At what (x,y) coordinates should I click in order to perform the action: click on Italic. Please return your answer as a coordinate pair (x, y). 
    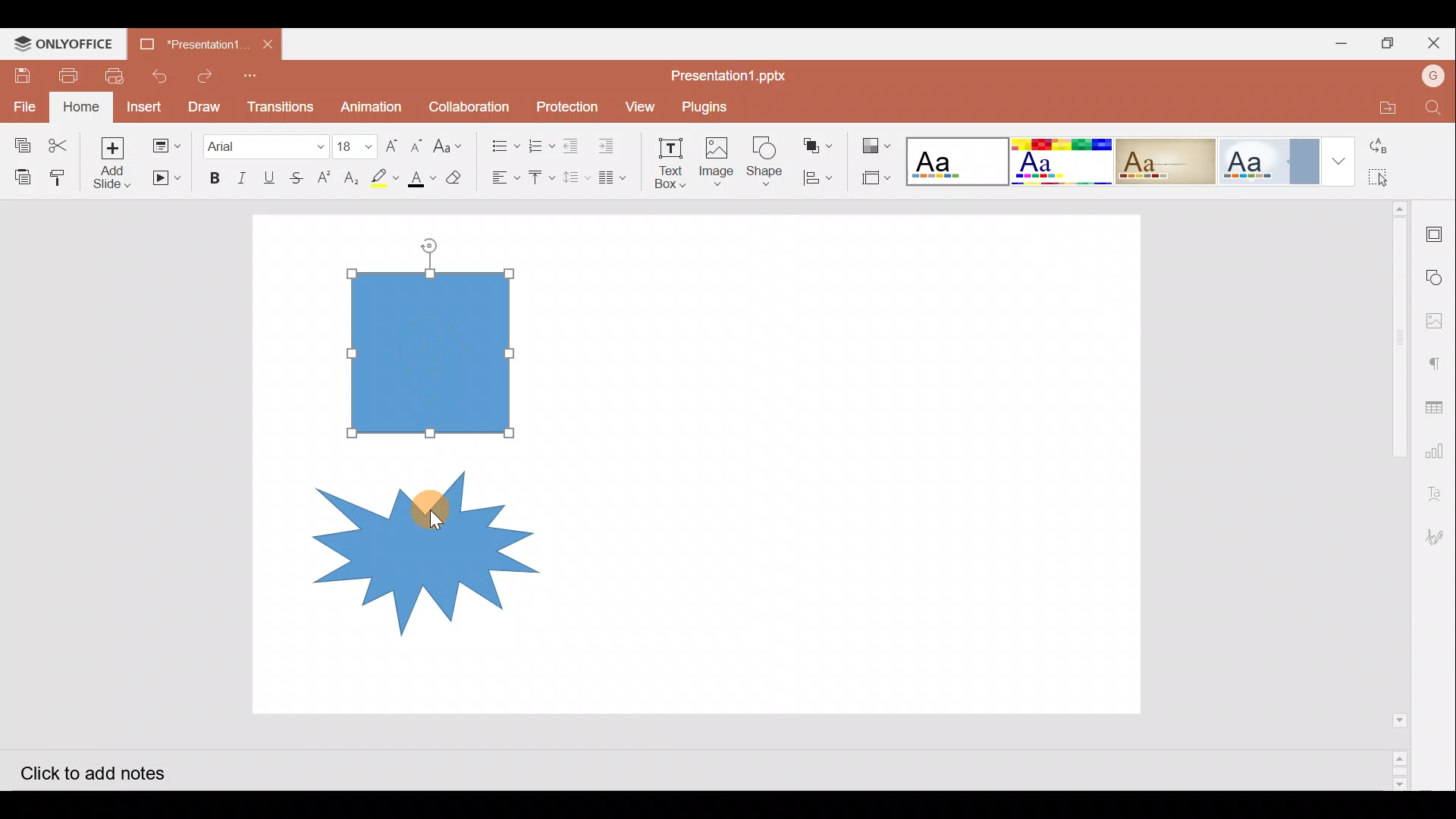
    Looking at the image, I should click on (242, 174).